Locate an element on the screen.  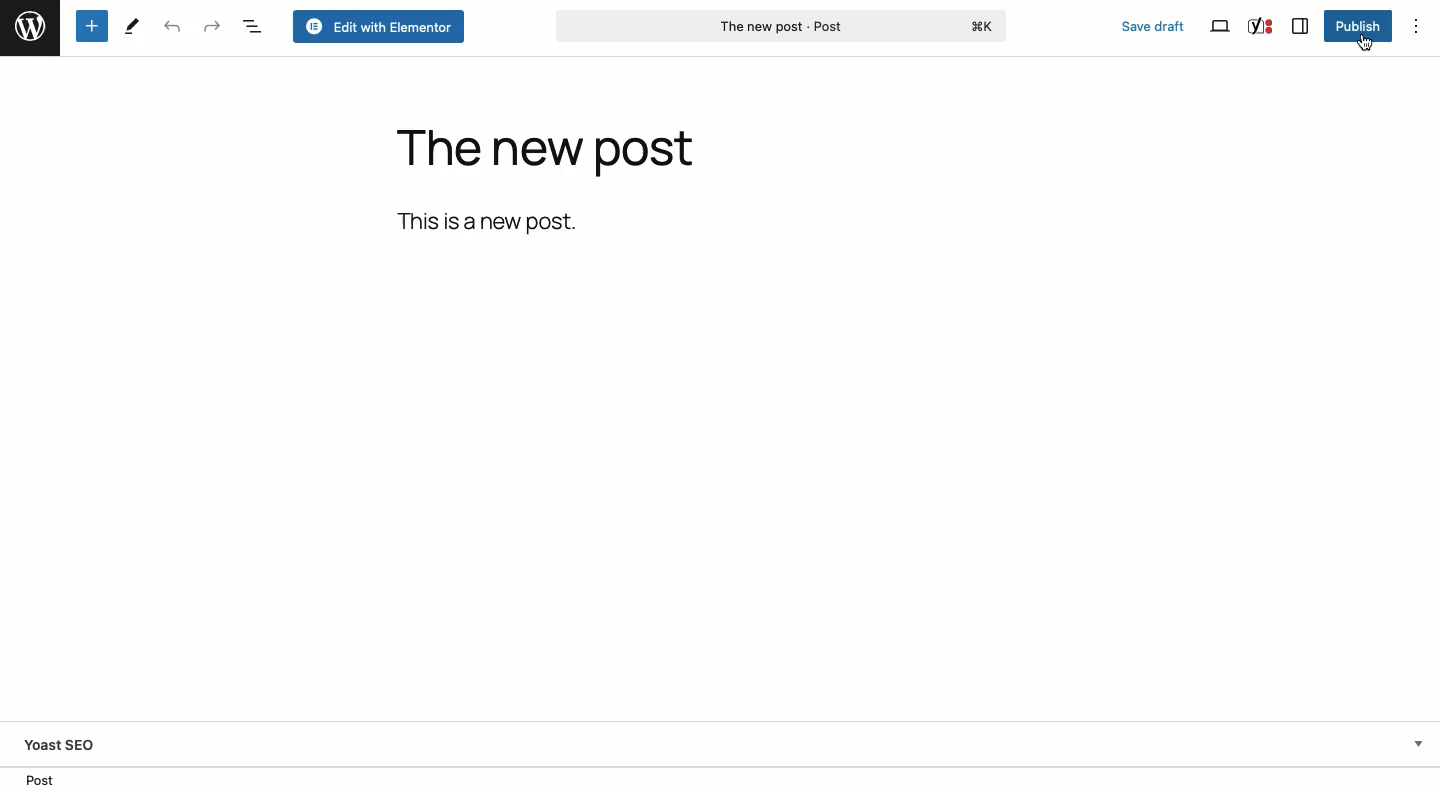
Post is located at coordinates (39, 779).